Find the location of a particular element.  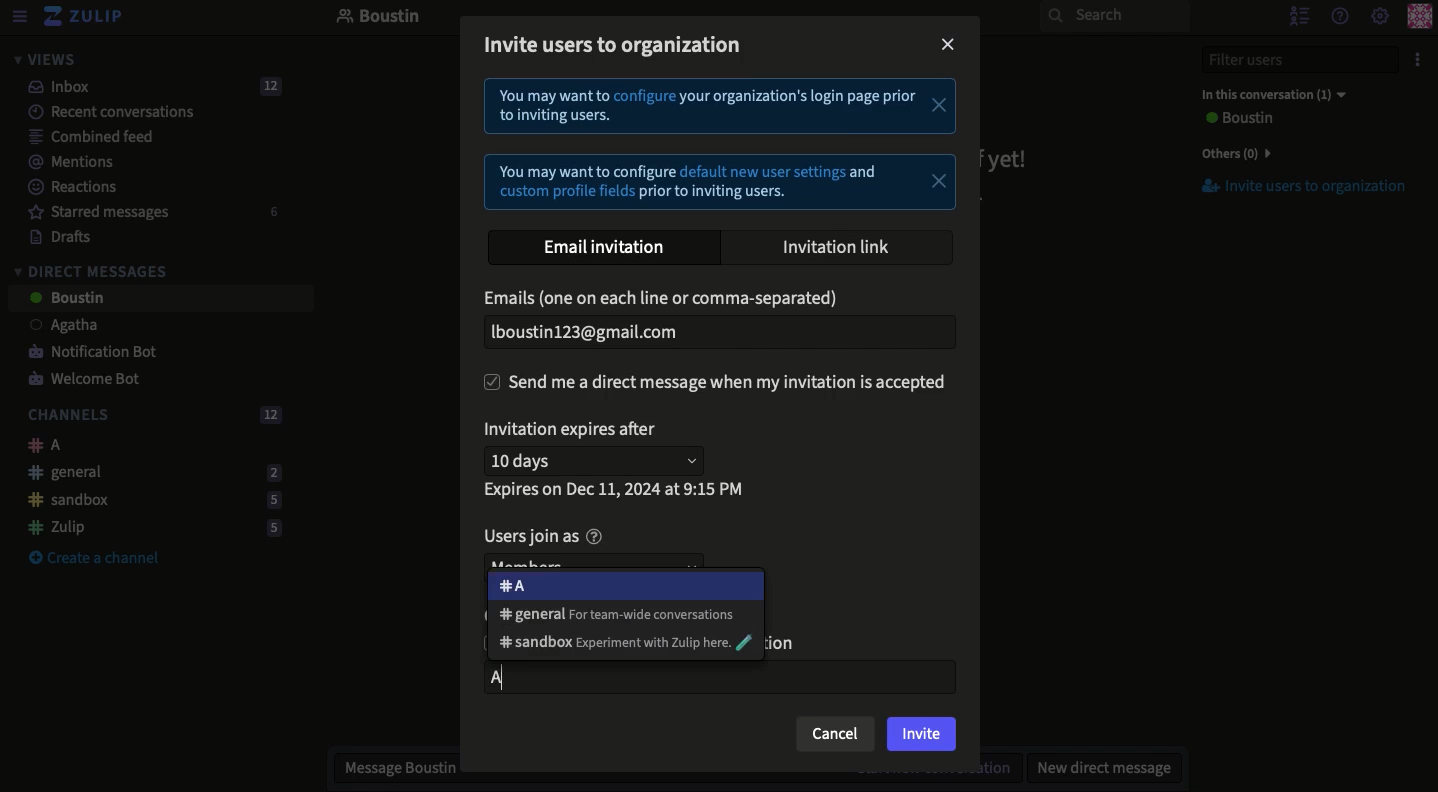

User 2 is located at coordinates (65, 299).